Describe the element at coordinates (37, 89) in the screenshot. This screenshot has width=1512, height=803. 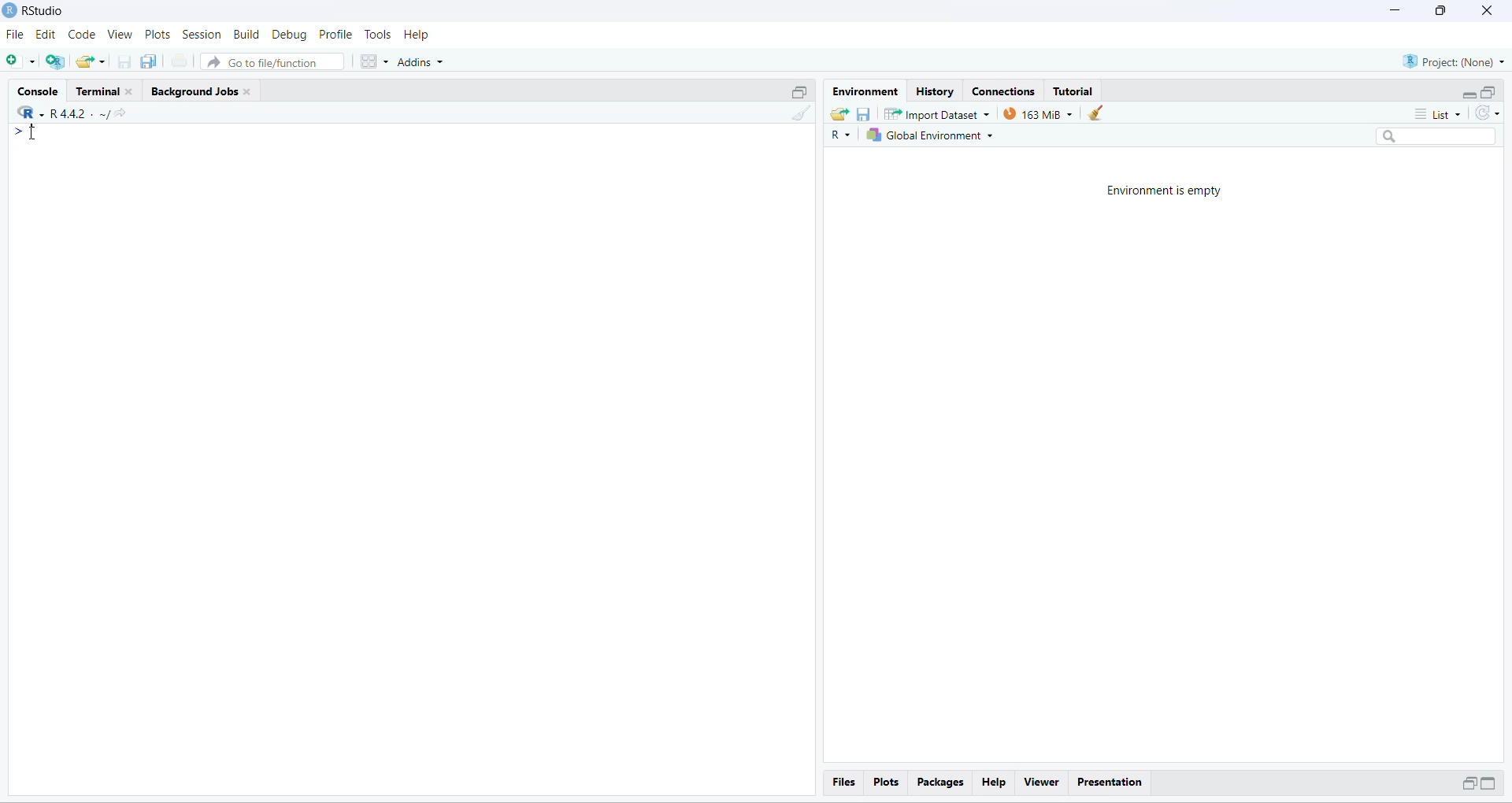
I see `Console` at that location.